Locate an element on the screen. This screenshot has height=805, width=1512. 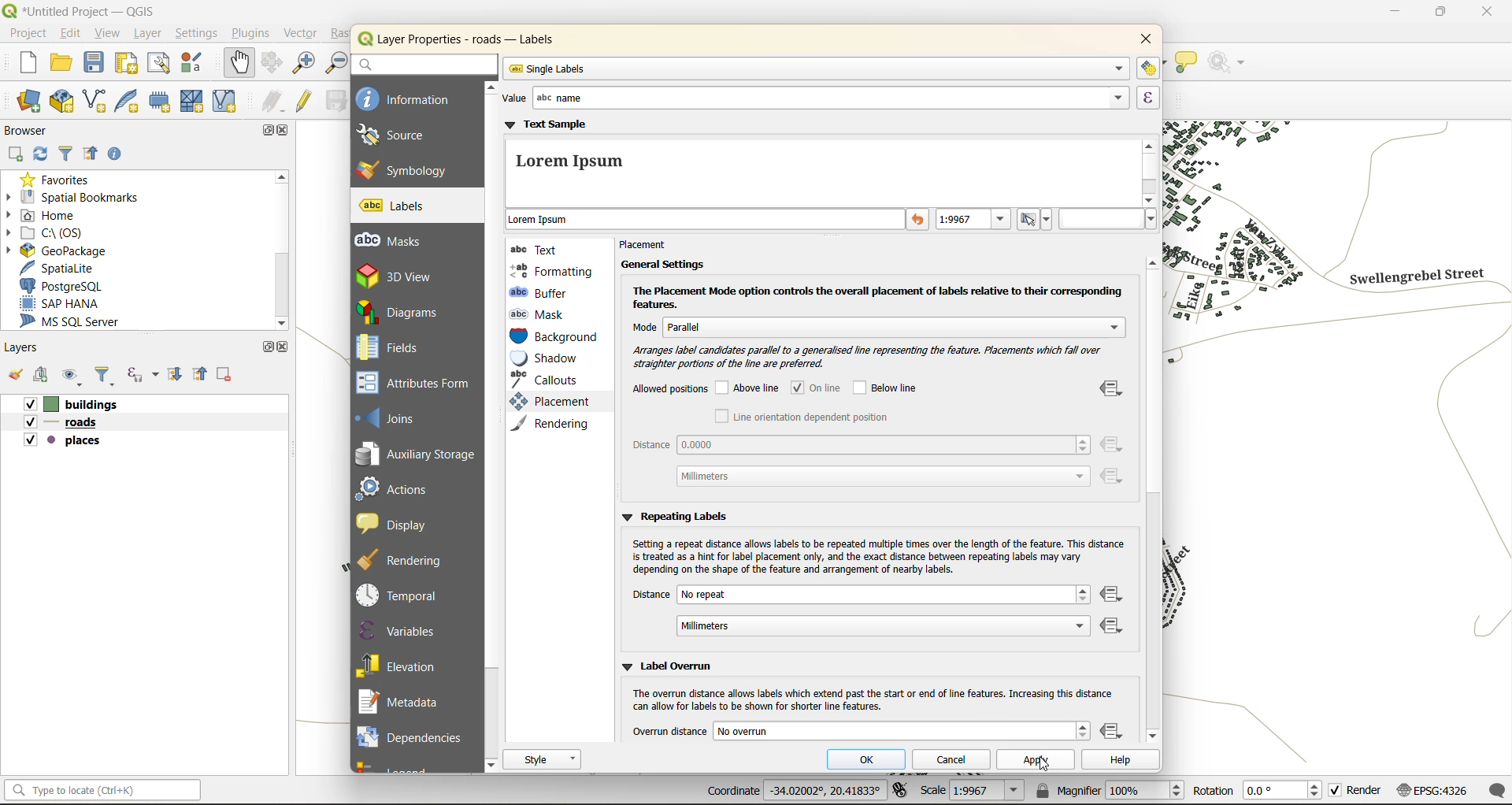
joins is located at coordinates (395, 417).